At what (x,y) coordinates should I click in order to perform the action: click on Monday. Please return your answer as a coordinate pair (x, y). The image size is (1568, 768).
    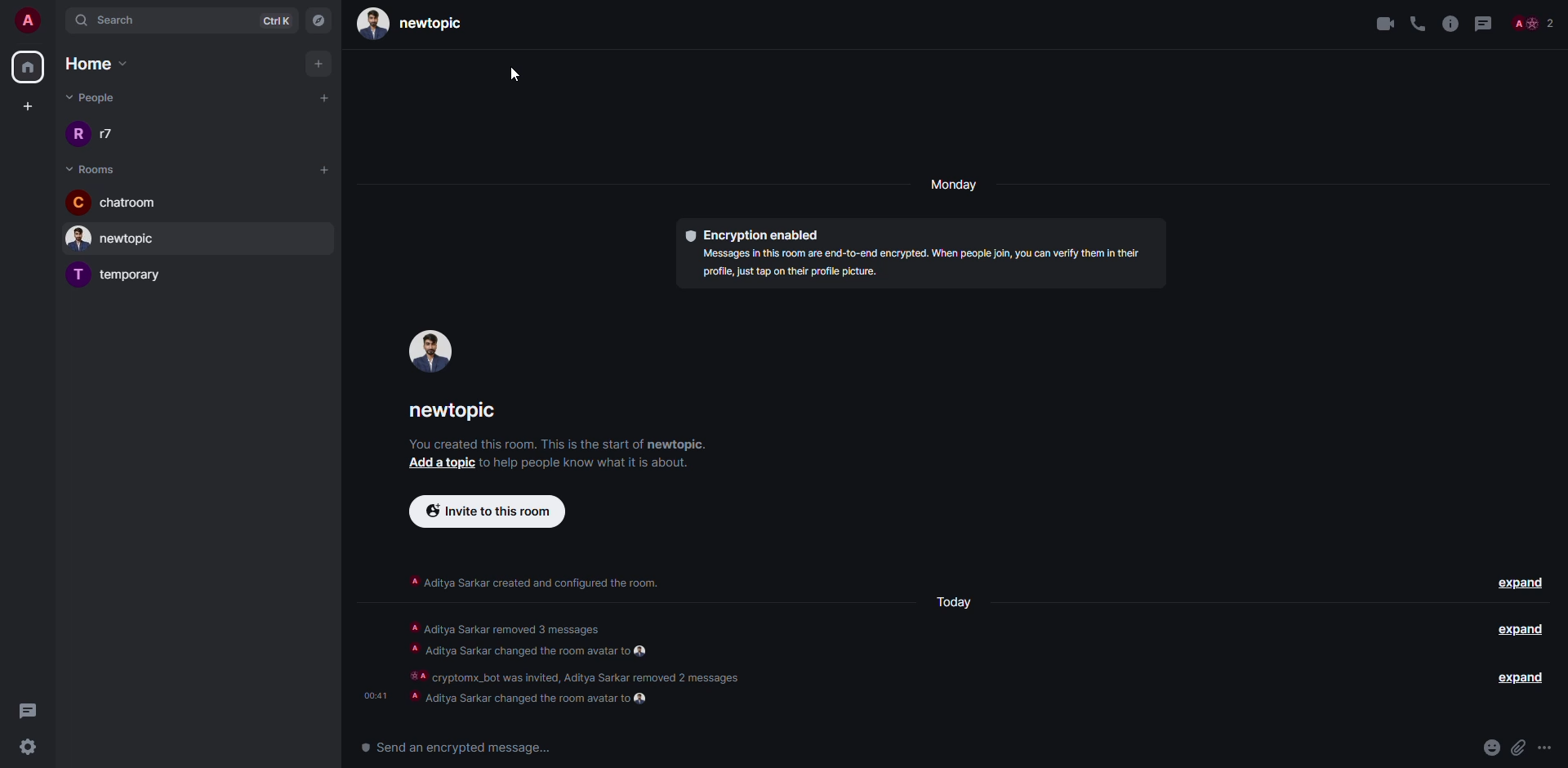
    Looking at the image, I should click on (958, 185).